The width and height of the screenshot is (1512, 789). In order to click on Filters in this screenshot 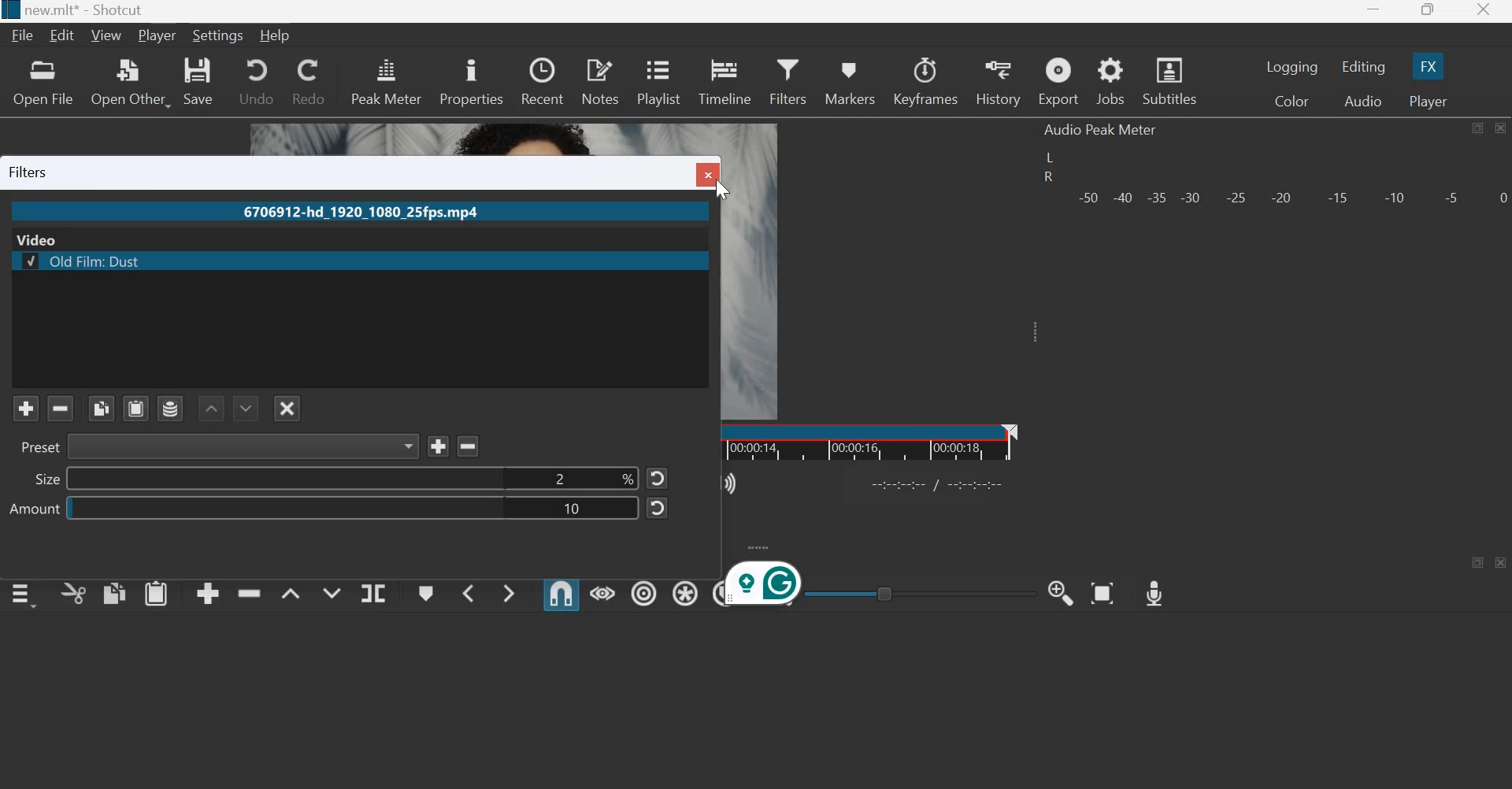, I will do `click(34, 172)`.